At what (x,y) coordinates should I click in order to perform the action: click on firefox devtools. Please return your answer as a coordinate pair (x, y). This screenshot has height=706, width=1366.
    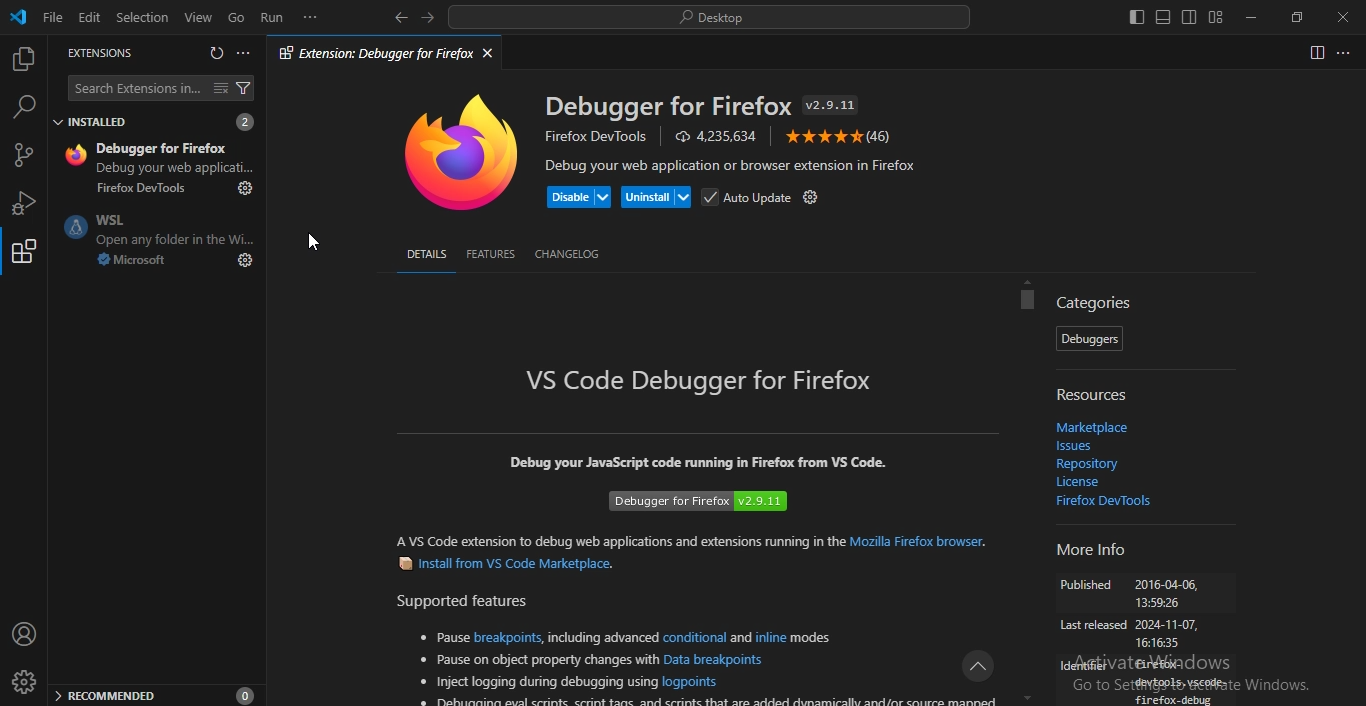
    Looking at the image, I should click on (1106, 500).